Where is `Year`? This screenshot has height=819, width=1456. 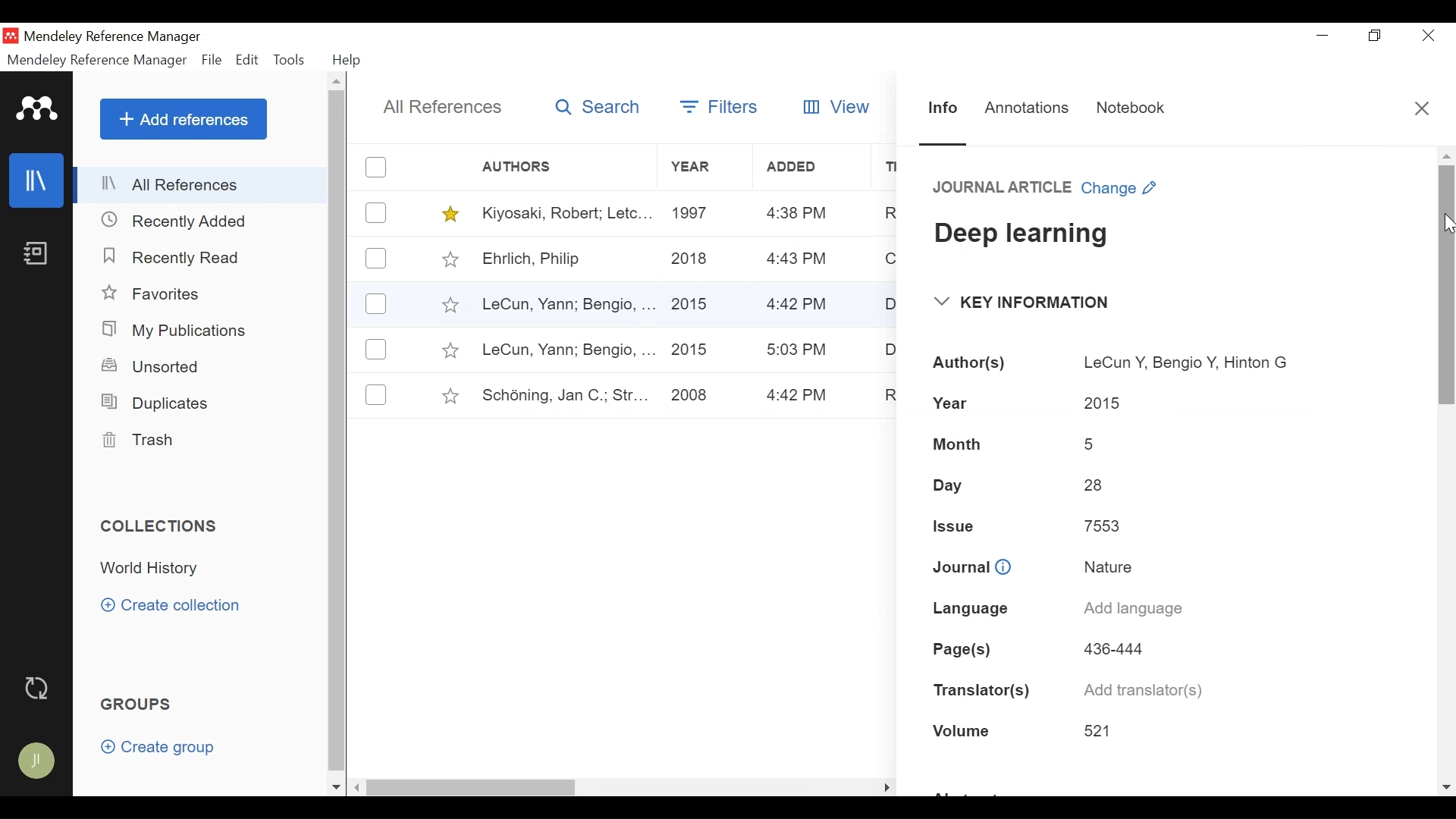 Year is located at coordinates (704, 168).